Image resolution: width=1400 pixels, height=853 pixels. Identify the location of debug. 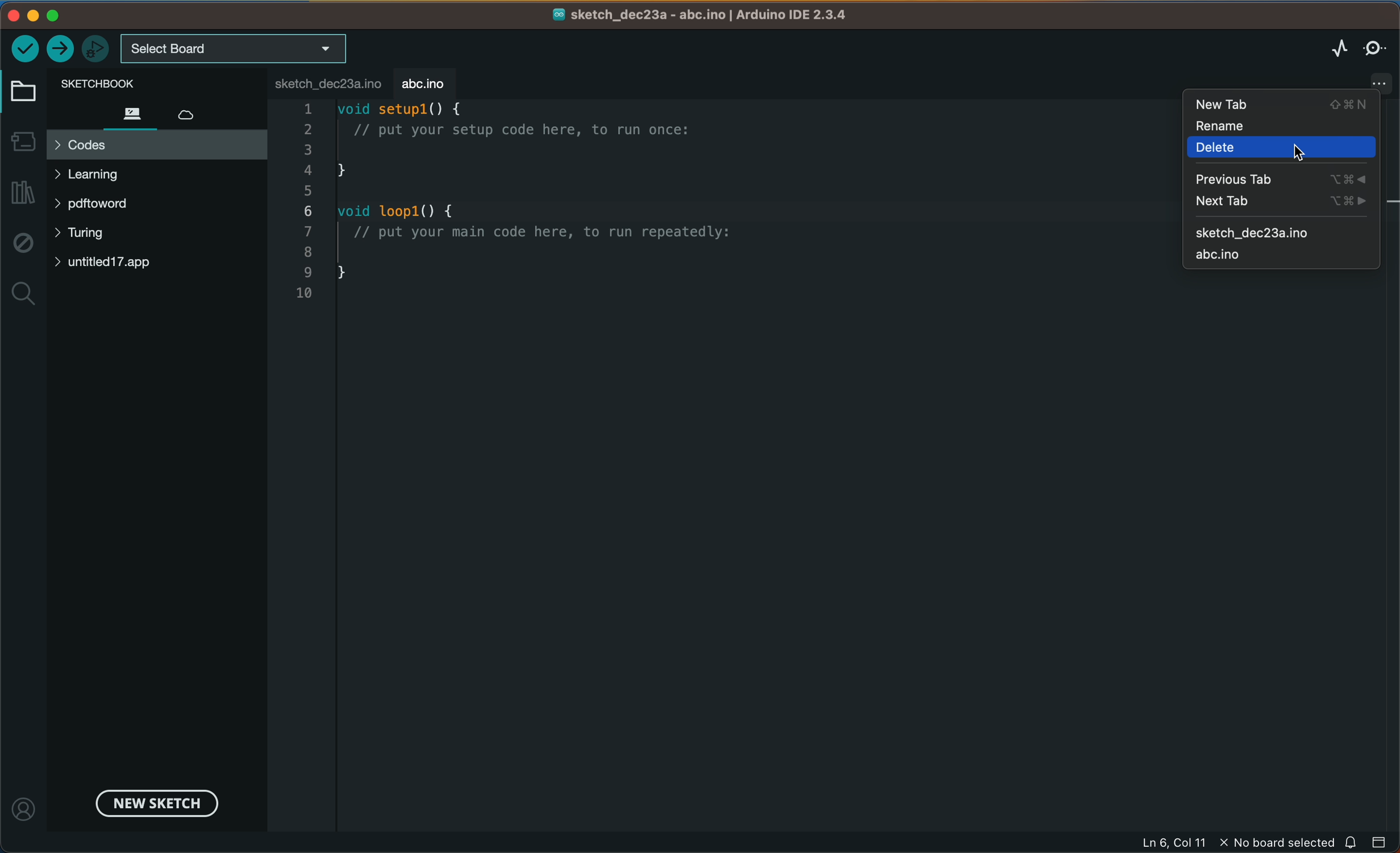
(21, 243).